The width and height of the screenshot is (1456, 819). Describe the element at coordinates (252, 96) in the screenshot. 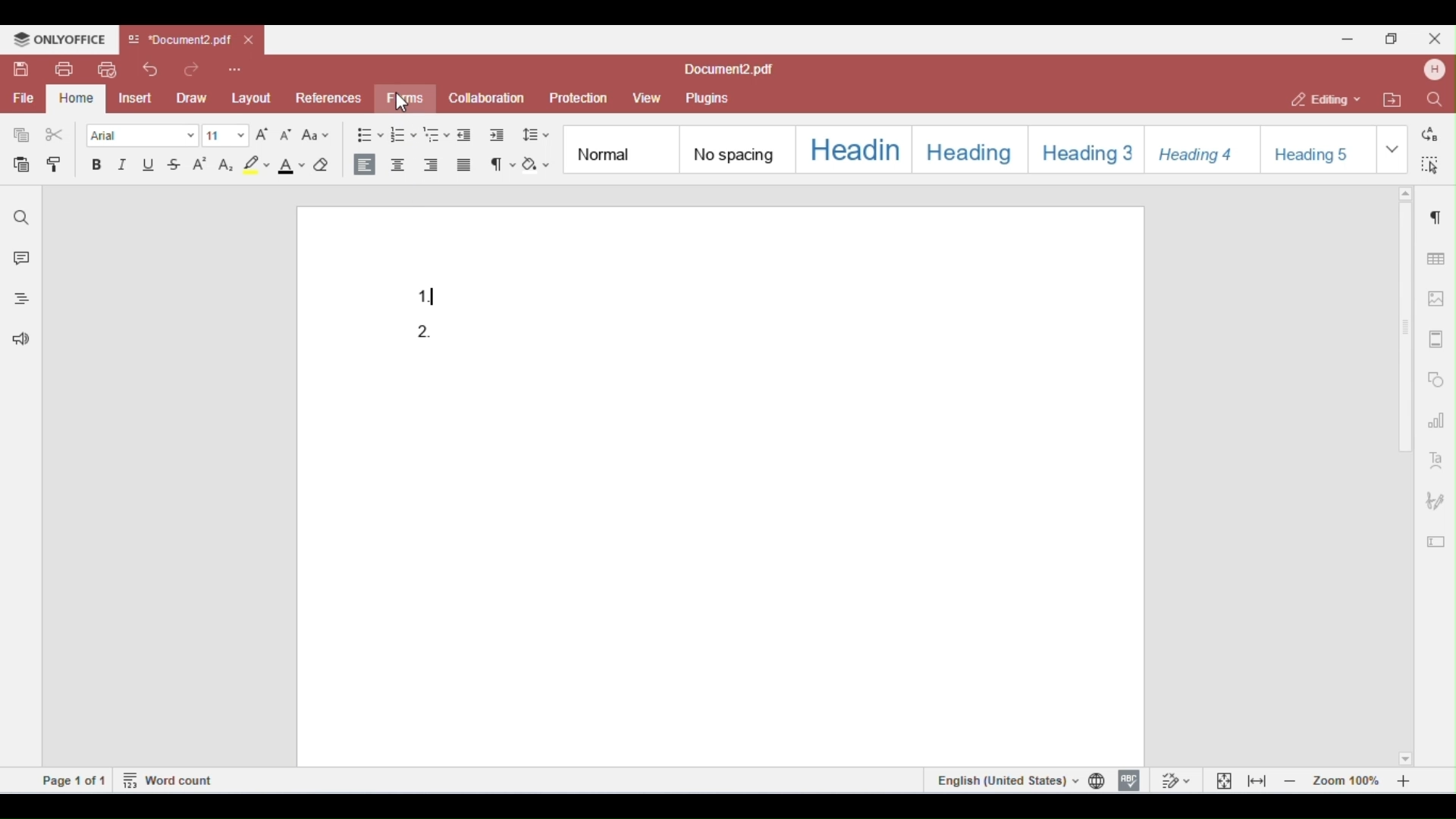

I see `layout` at that location.